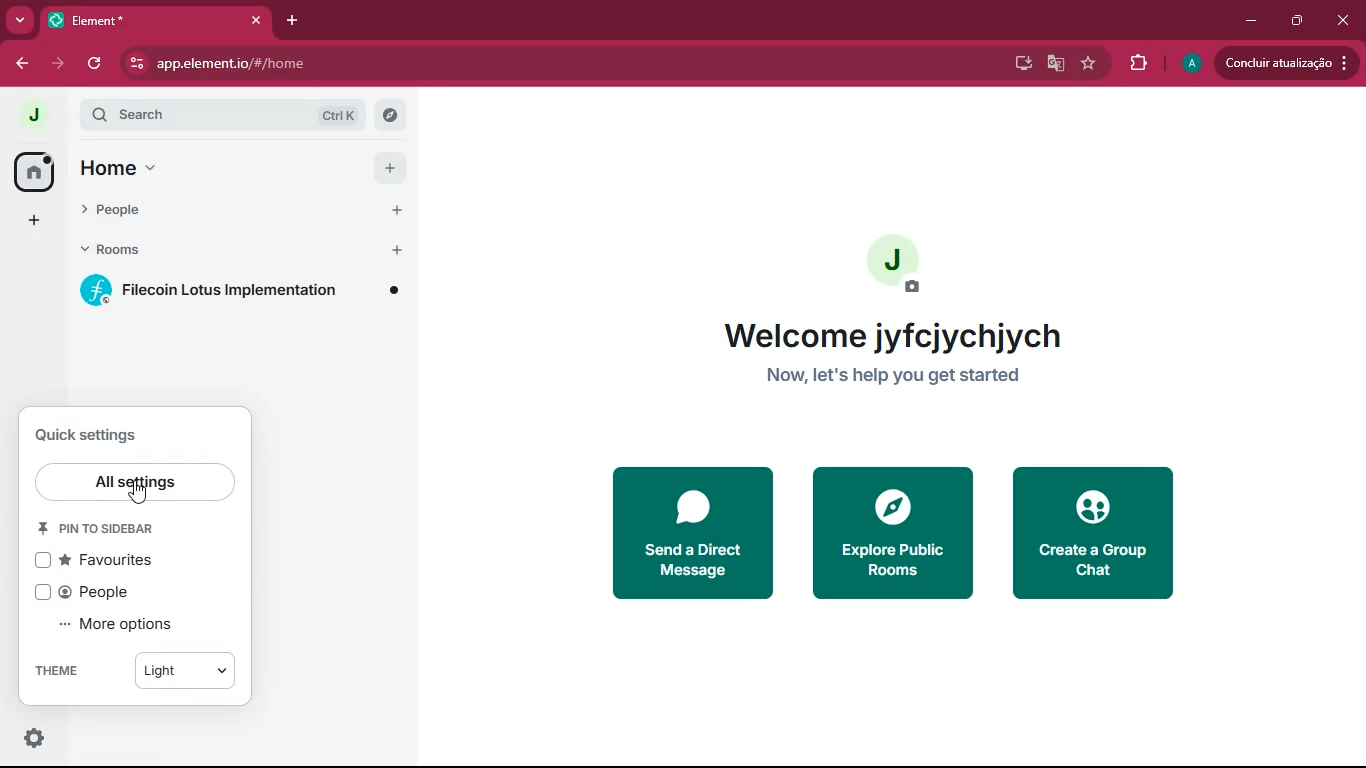  Describe the element at coordinates (128, 20) in the screenshot. I see `tab` at that location.